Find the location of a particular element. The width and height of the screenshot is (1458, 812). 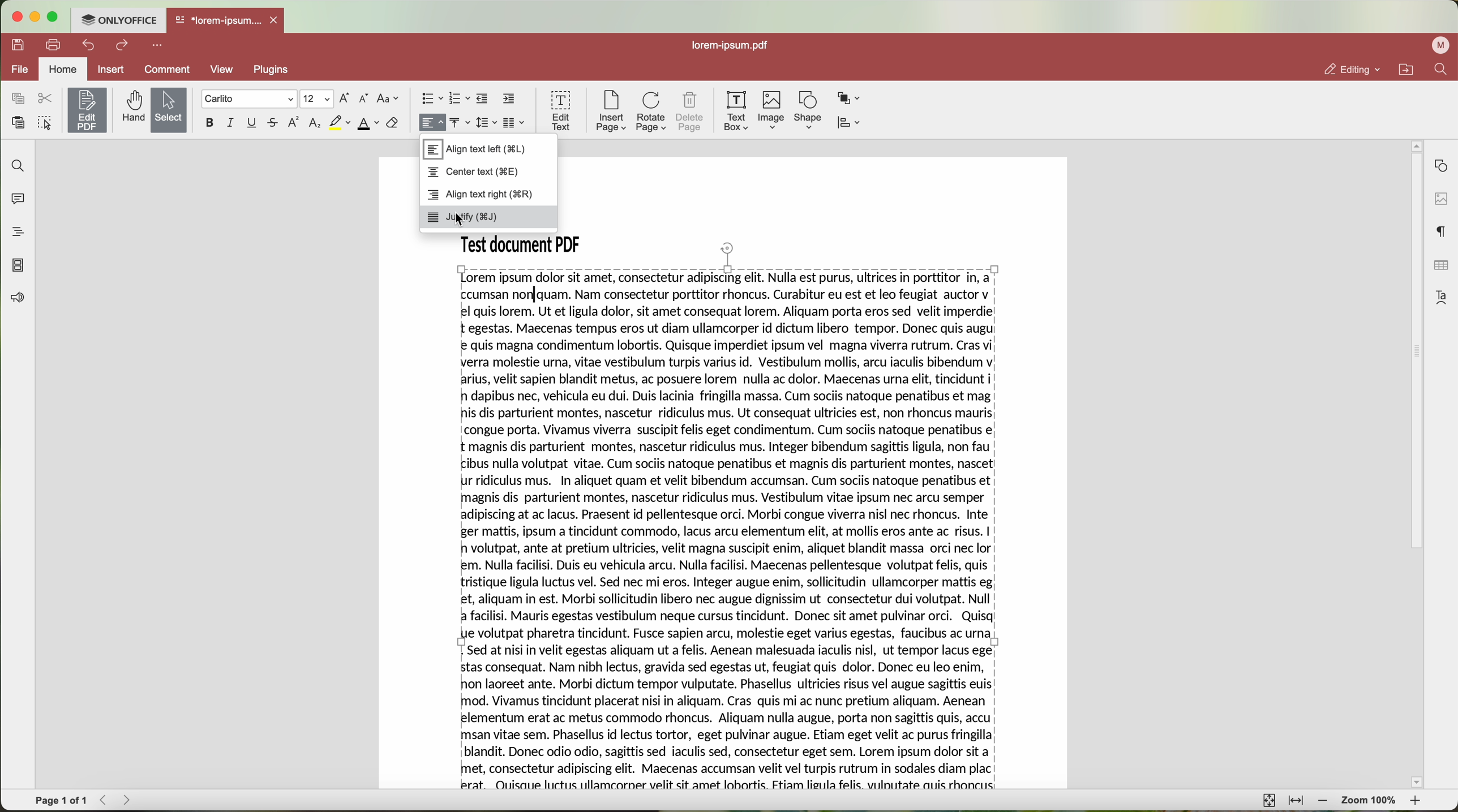

select all is located at coordinates (46, 122).